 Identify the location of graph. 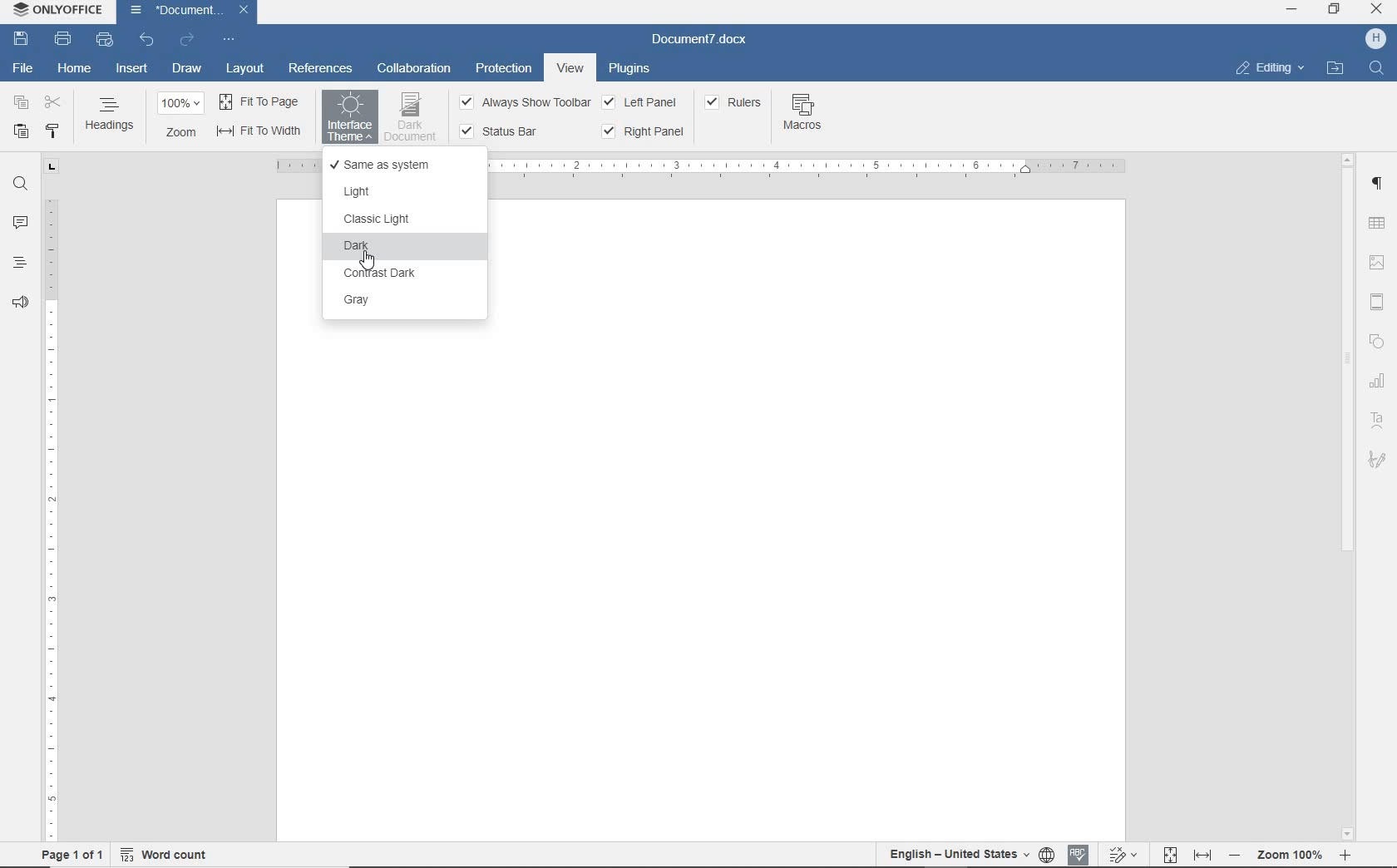
(1378, 382).